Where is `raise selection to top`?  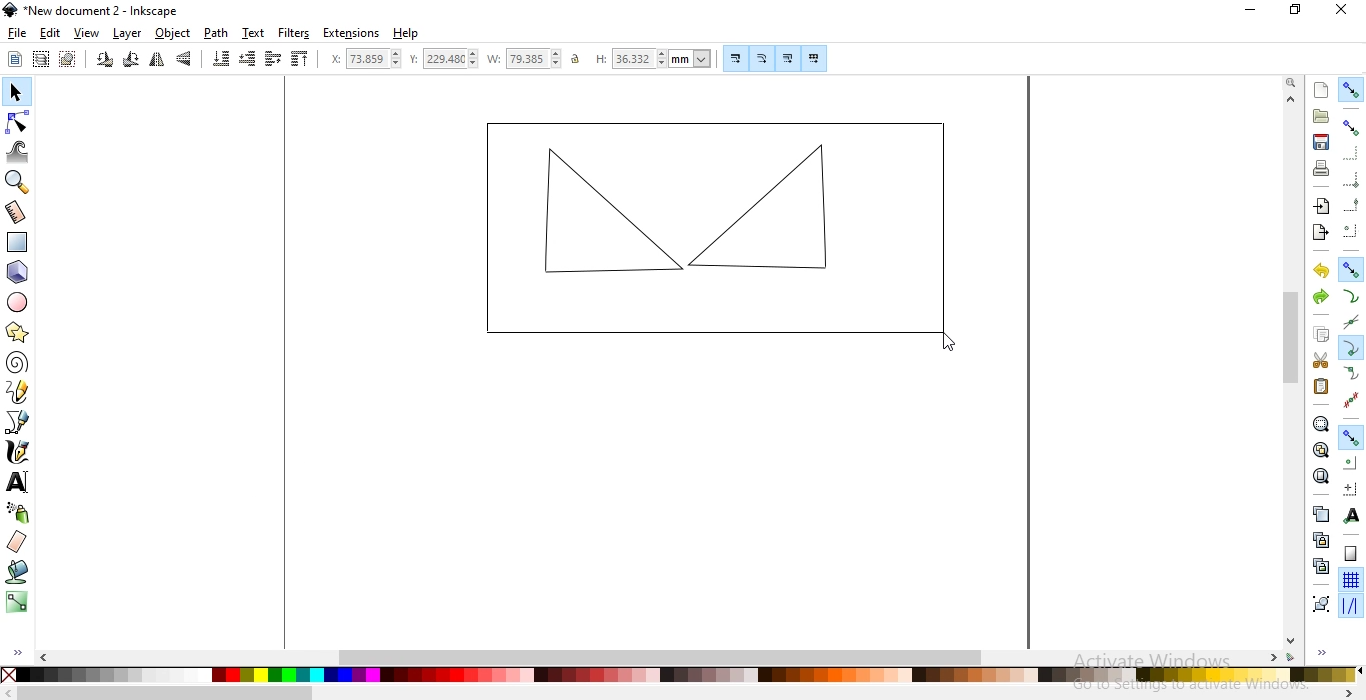
raise selection to top is located at coordinates (301, 60).